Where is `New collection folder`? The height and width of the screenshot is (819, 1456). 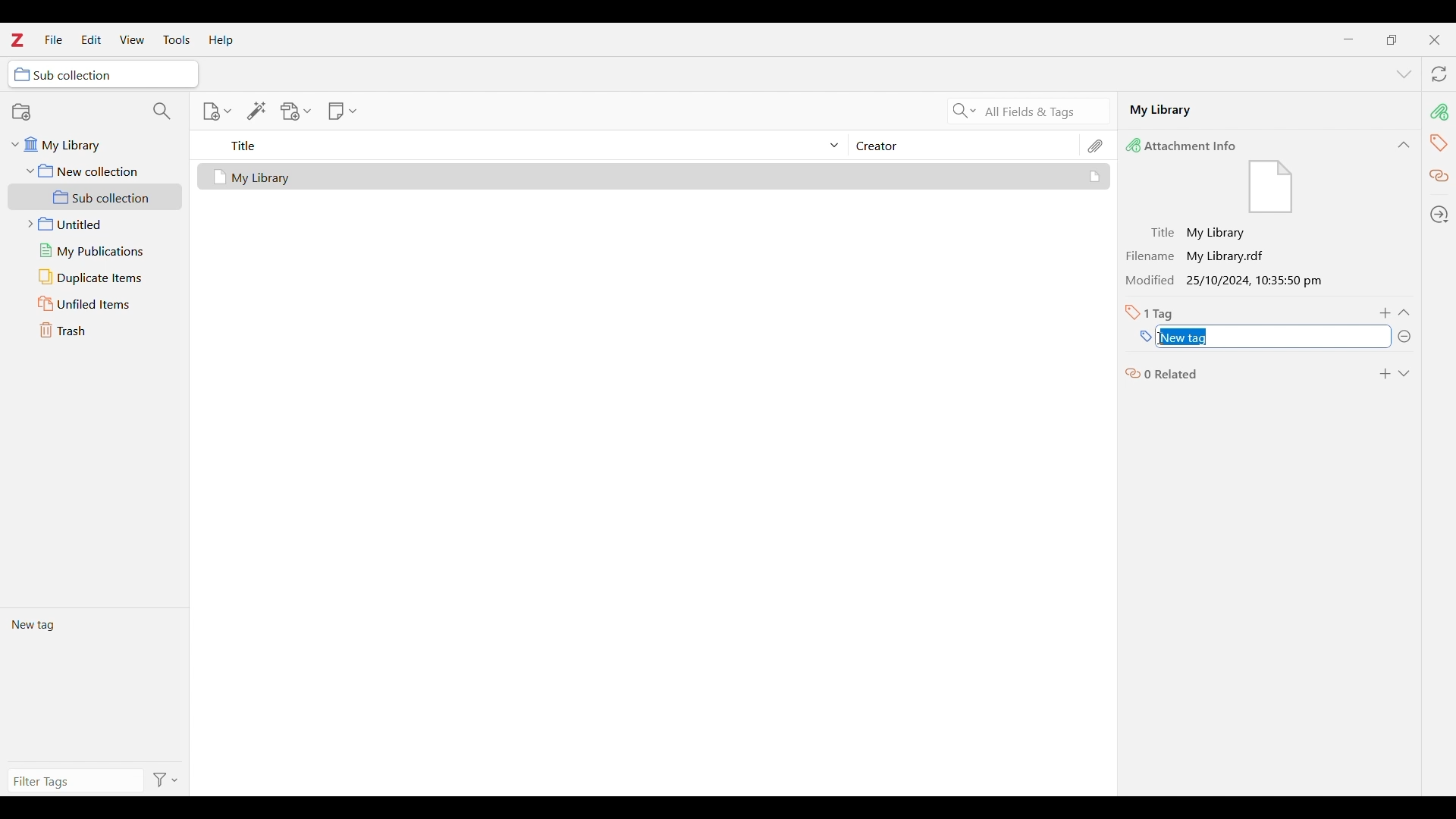
New collection folder is located at coordinates (96, 171).